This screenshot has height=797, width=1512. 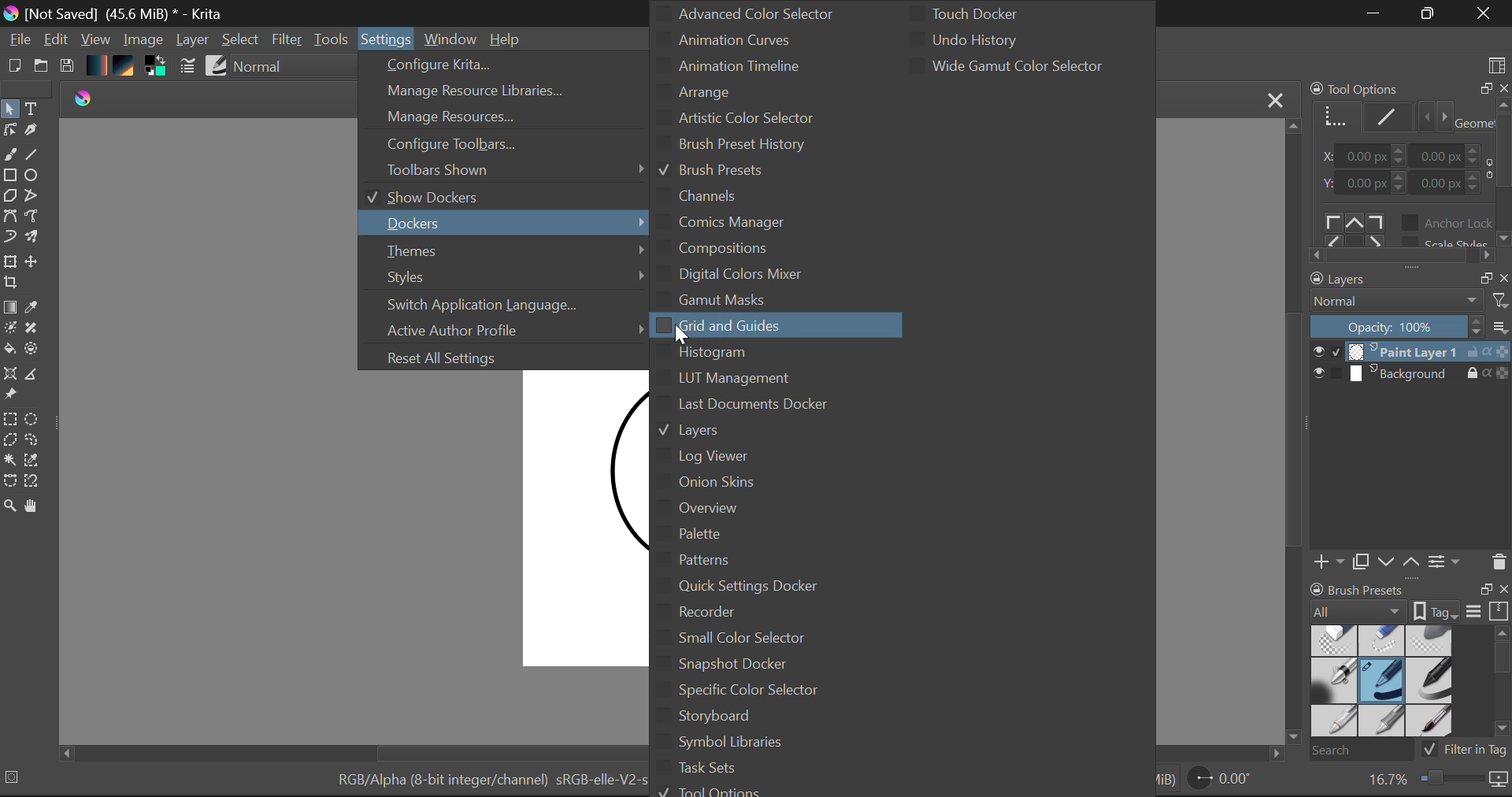 What do you see at coordinates (9, 218) in the screenshot?
I see `Bezier Curve` at bounding box center [9, 218].